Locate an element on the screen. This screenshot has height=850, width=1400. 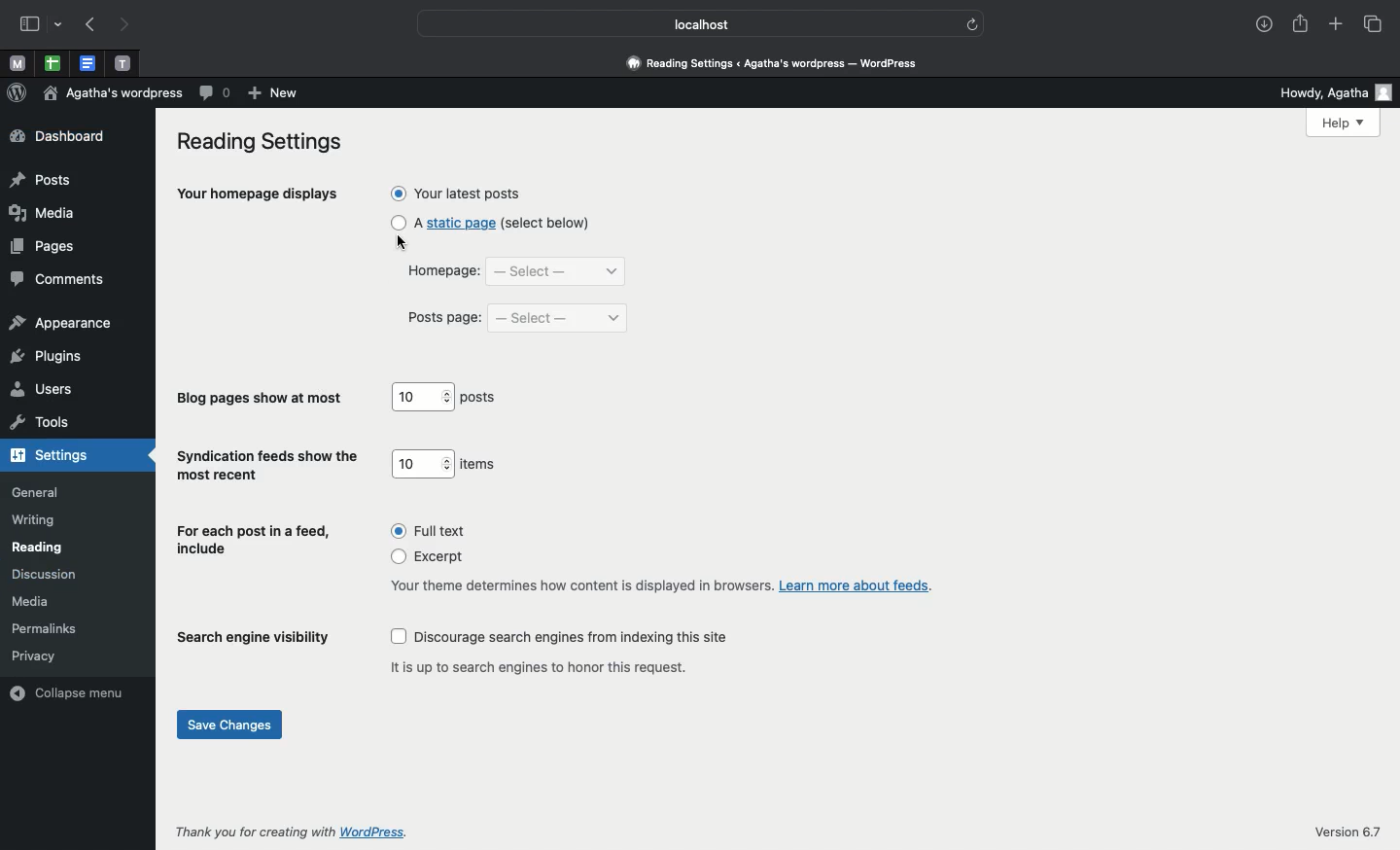
Reading settings is located at coordinates (264, 143).